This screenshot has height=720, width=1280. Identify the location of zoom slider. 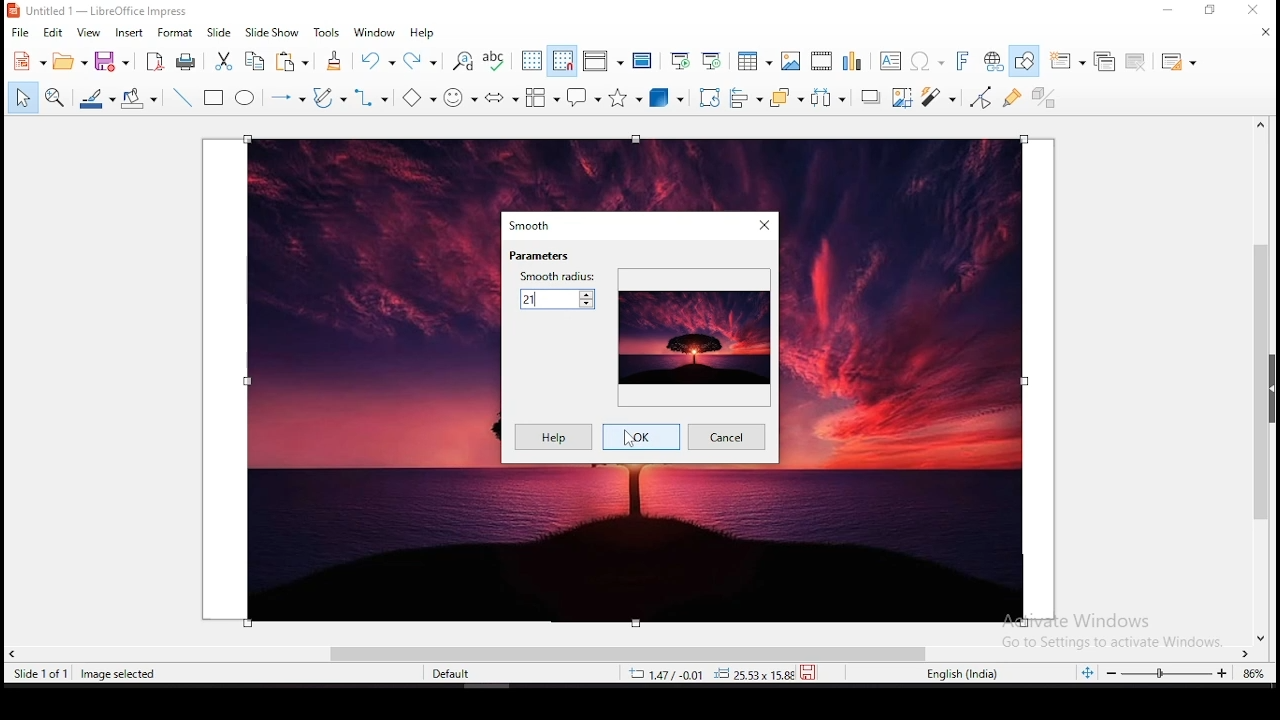
(1167, 674).